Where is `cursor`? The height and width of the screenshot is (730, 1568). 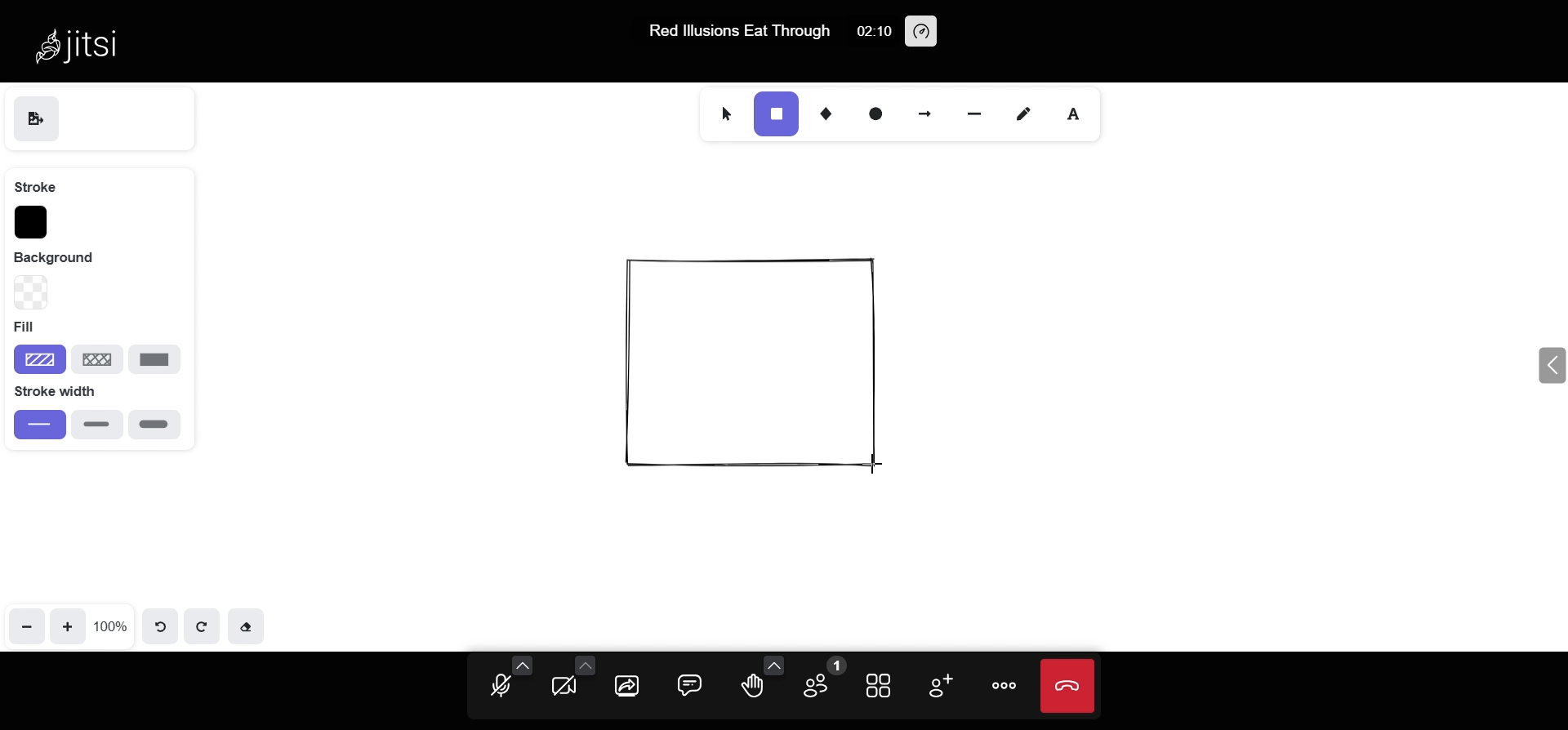 cursor is located at coordinates (887, 462).